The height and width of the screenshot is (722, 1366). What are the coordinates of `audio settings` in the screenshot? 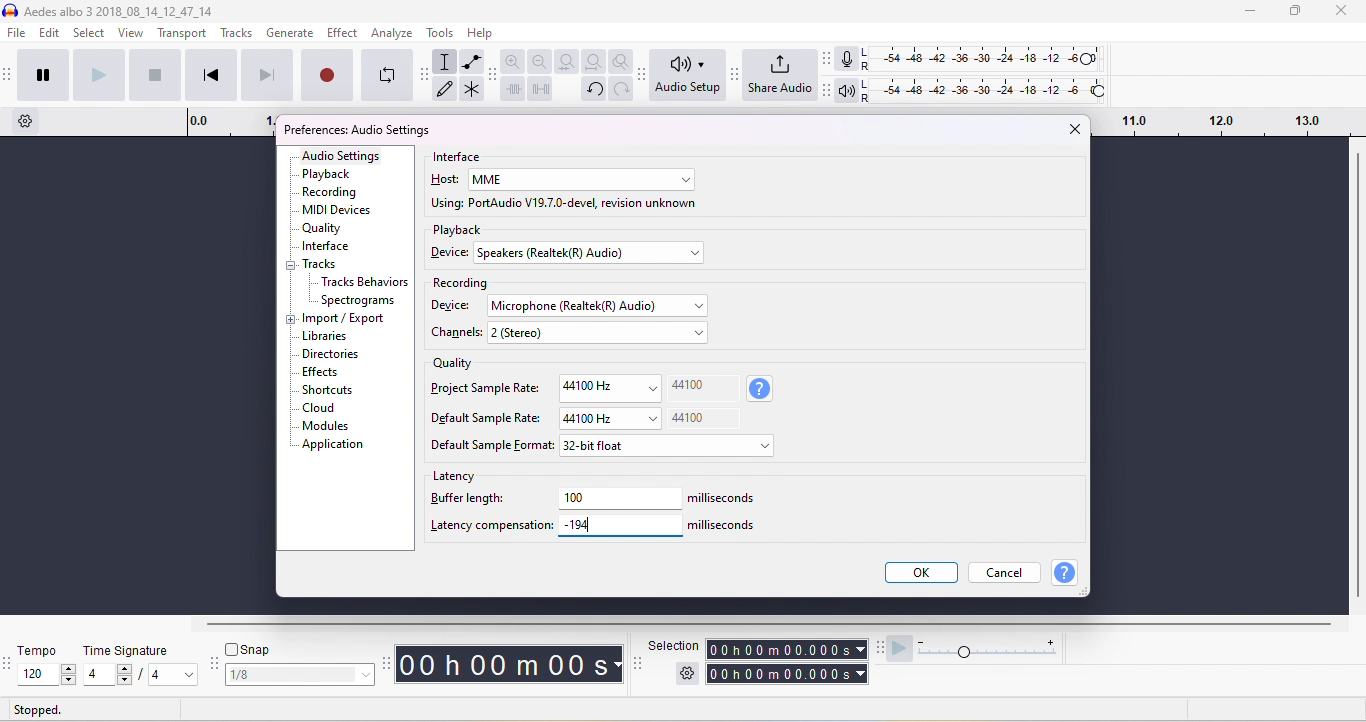 It's located at (342, 156).